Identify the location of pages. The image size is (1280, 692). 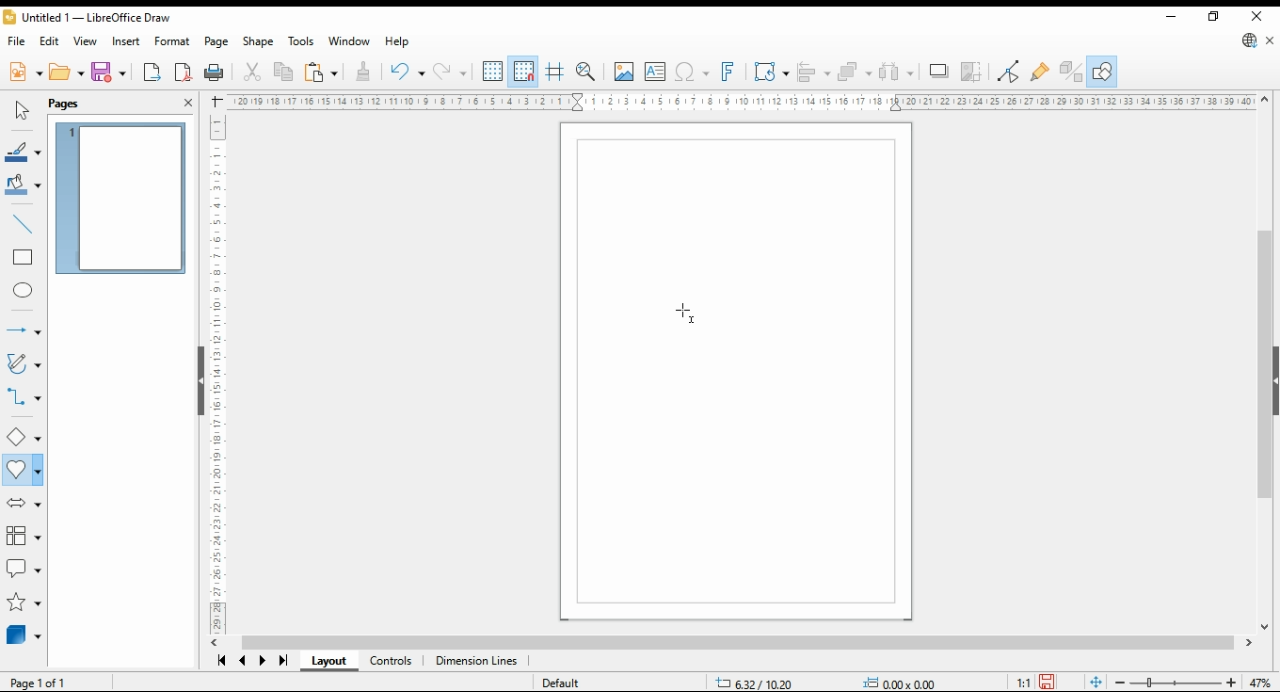
(80, 103).